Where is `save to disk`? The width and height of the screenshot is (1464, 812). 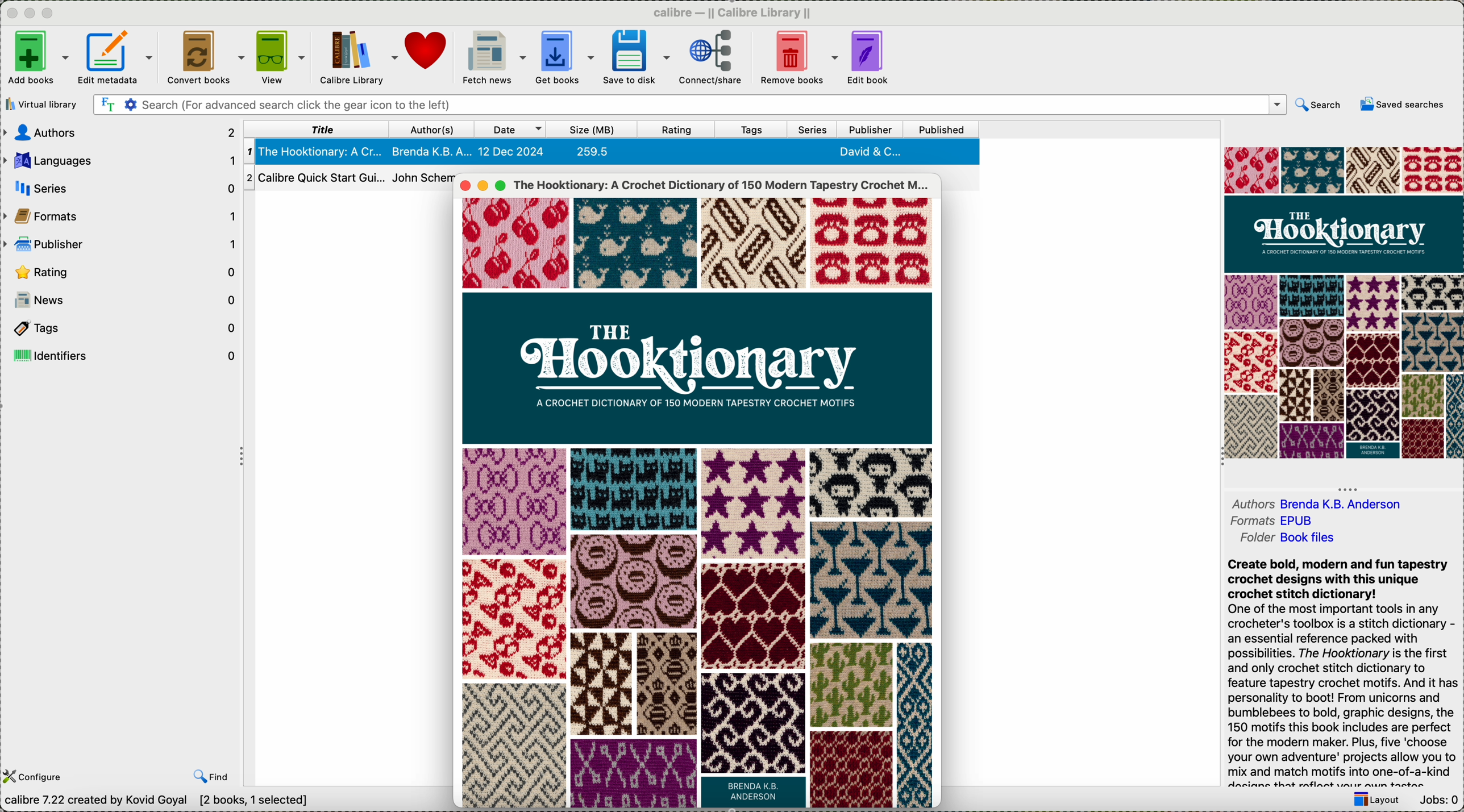
save to disk is located at coordinates (636, 56).